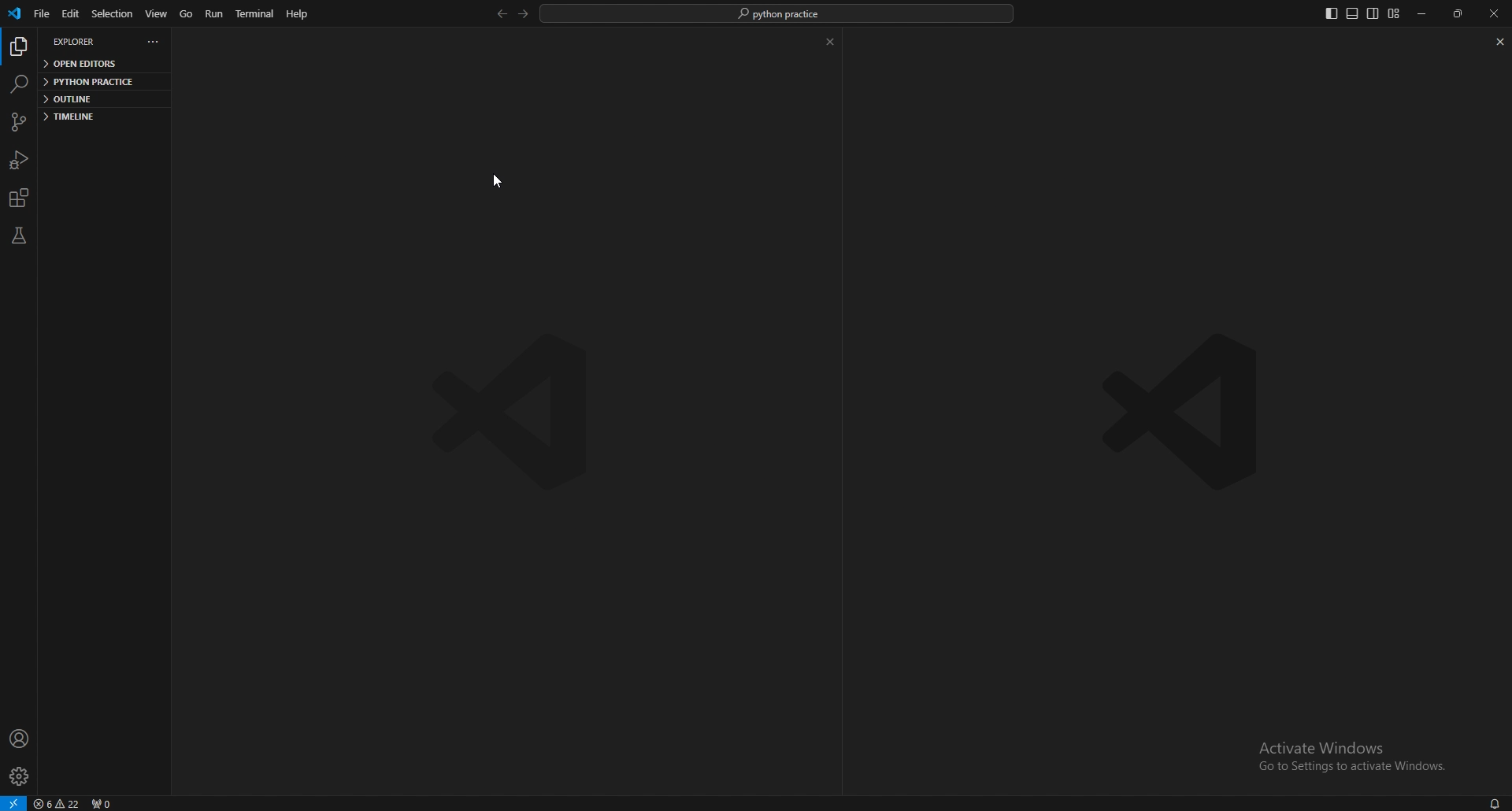  I want to click on second work space, so click(1187, 352).